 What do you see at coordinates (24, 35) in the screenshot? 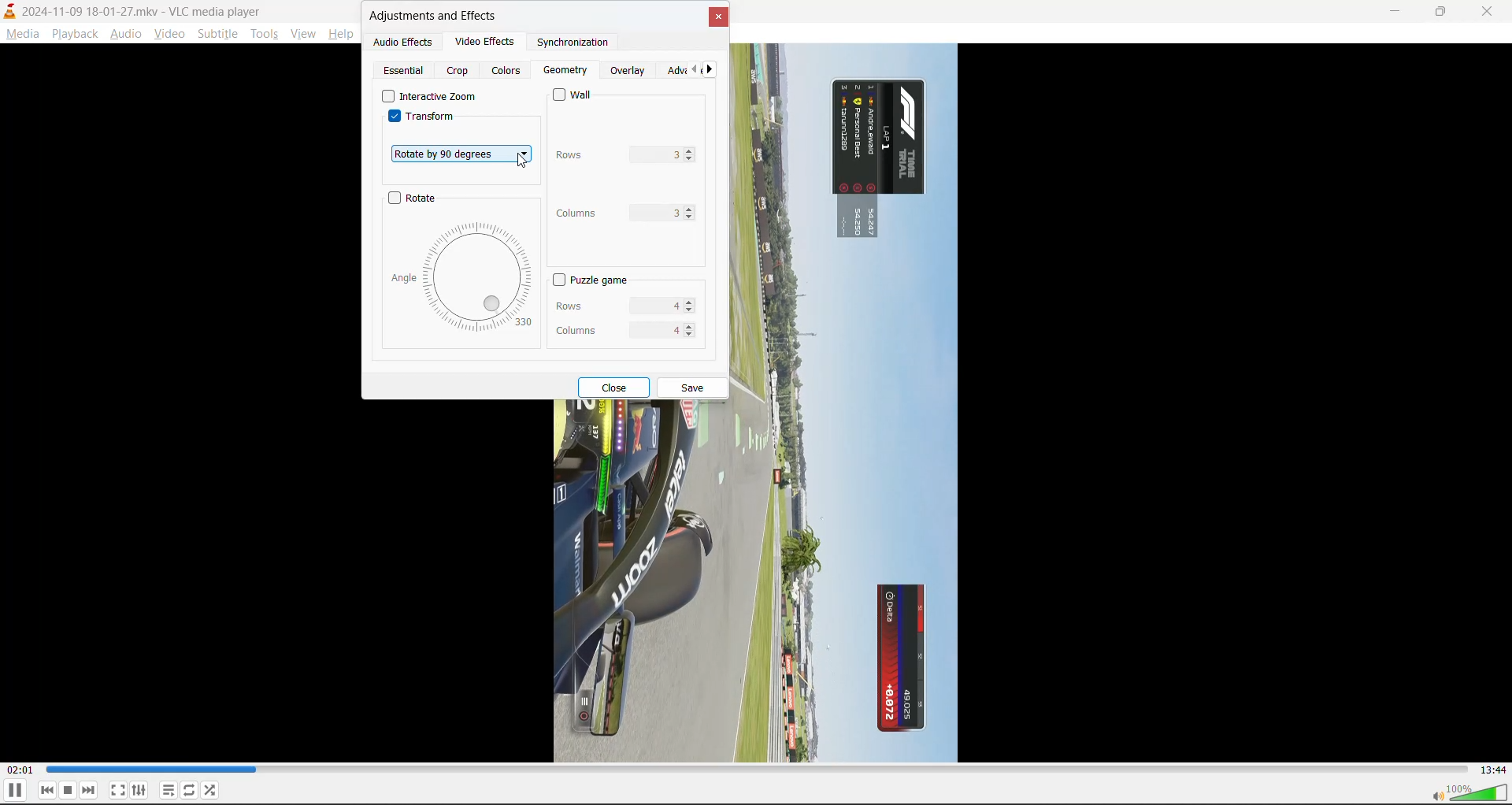
I see `media` at bounding box center [24, 35].